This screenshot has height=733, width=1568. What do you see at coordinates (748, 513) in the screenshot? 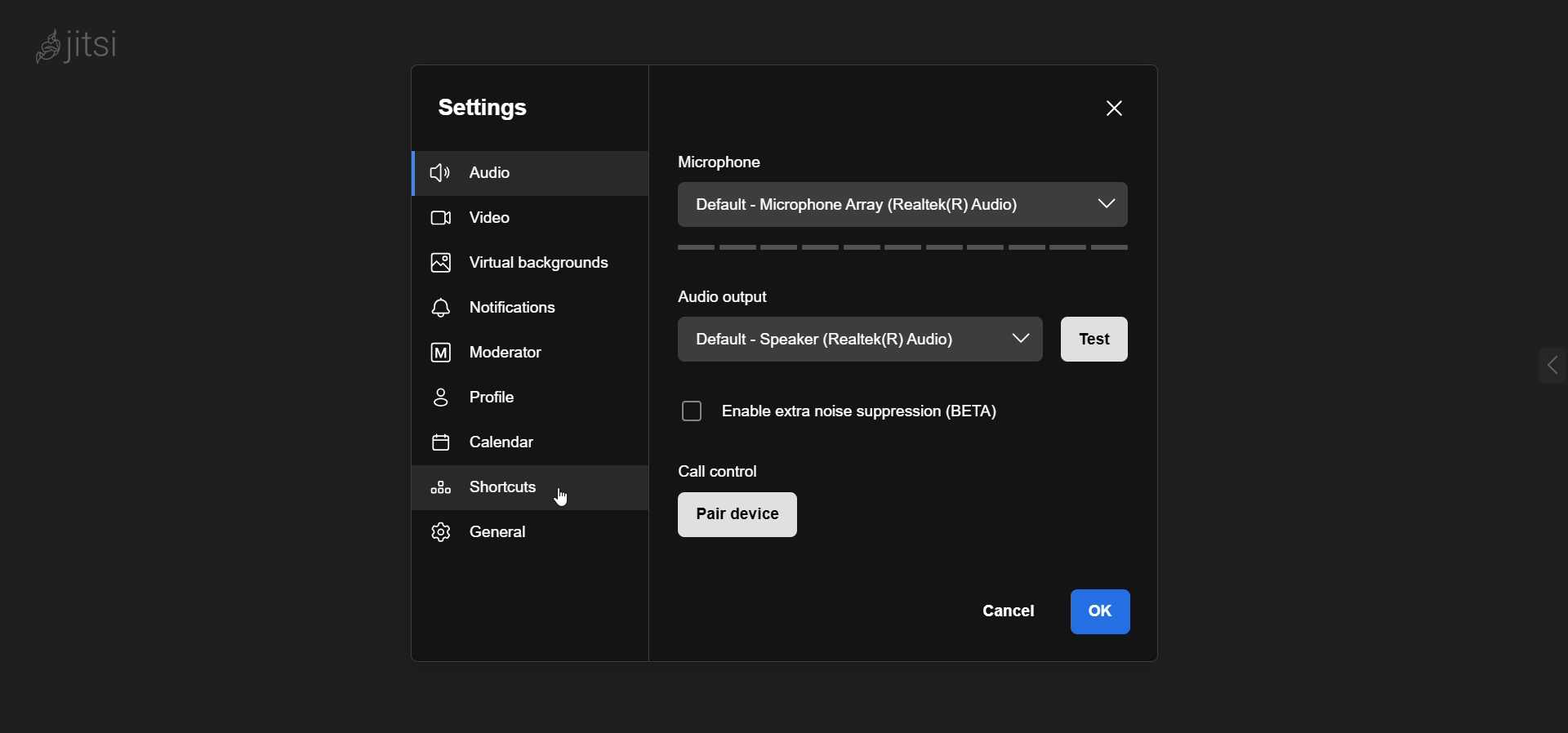
I see `pair device` at bounding box center [748, 513].